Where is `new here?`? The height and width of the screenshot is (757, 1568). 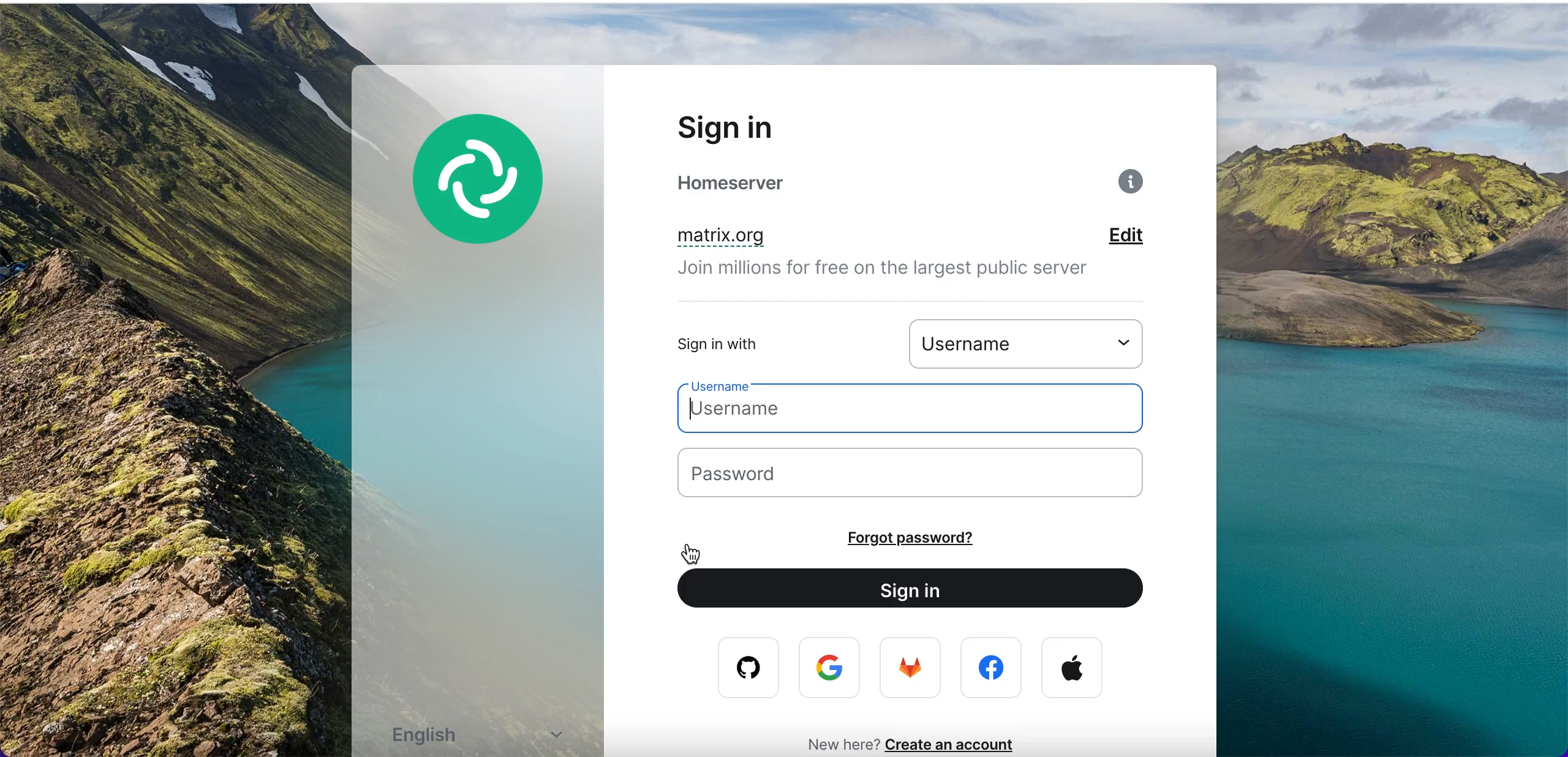
new here? is located at coordinates (836, 743).